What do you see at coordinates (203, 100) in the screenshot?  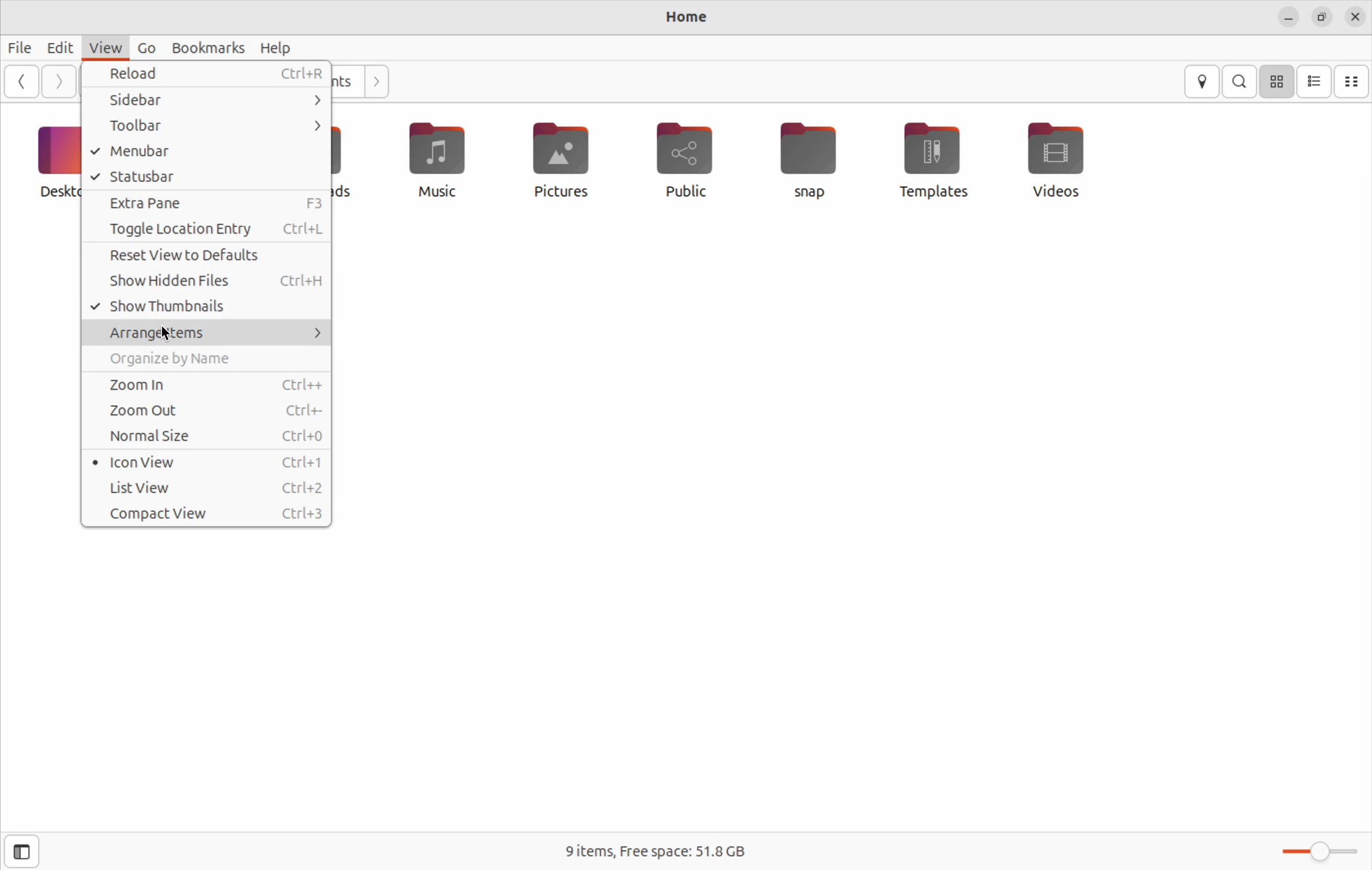 I see `sidebar` at bounding box center [203, 100].